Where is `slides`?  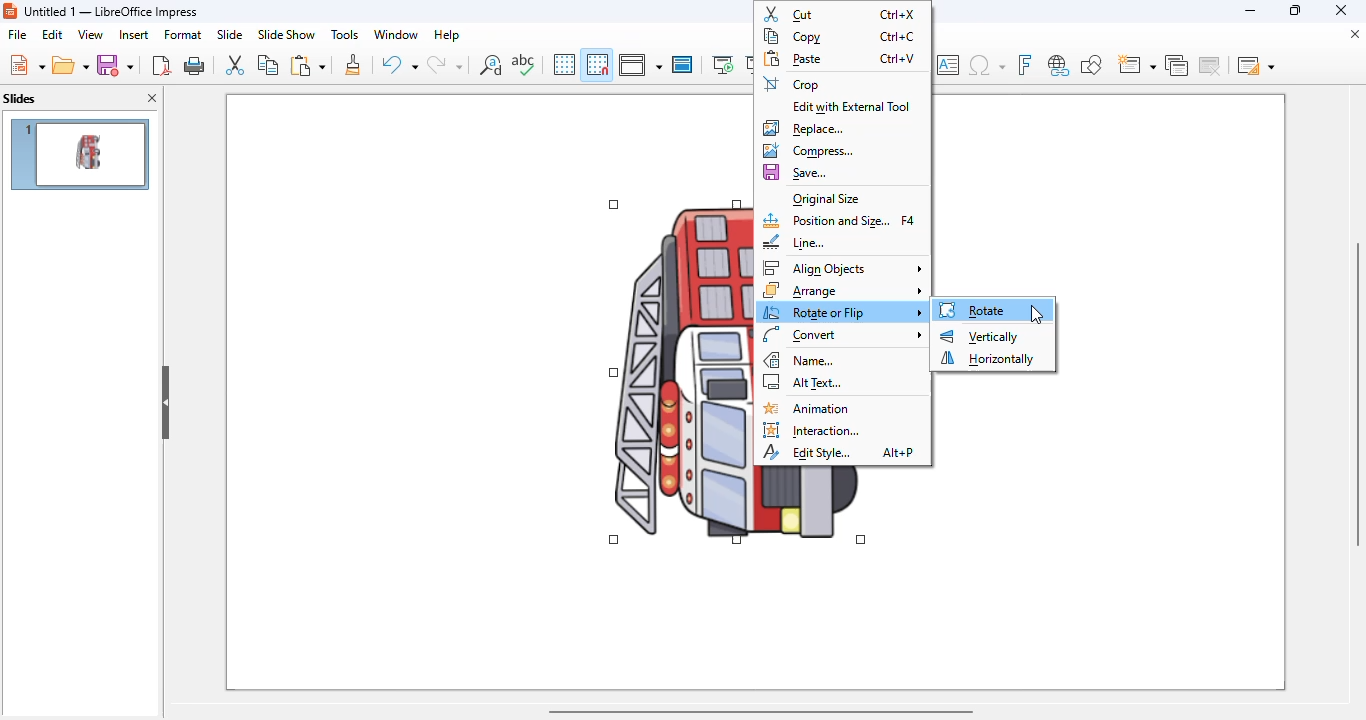
slides is located at coordinates (20, 99).